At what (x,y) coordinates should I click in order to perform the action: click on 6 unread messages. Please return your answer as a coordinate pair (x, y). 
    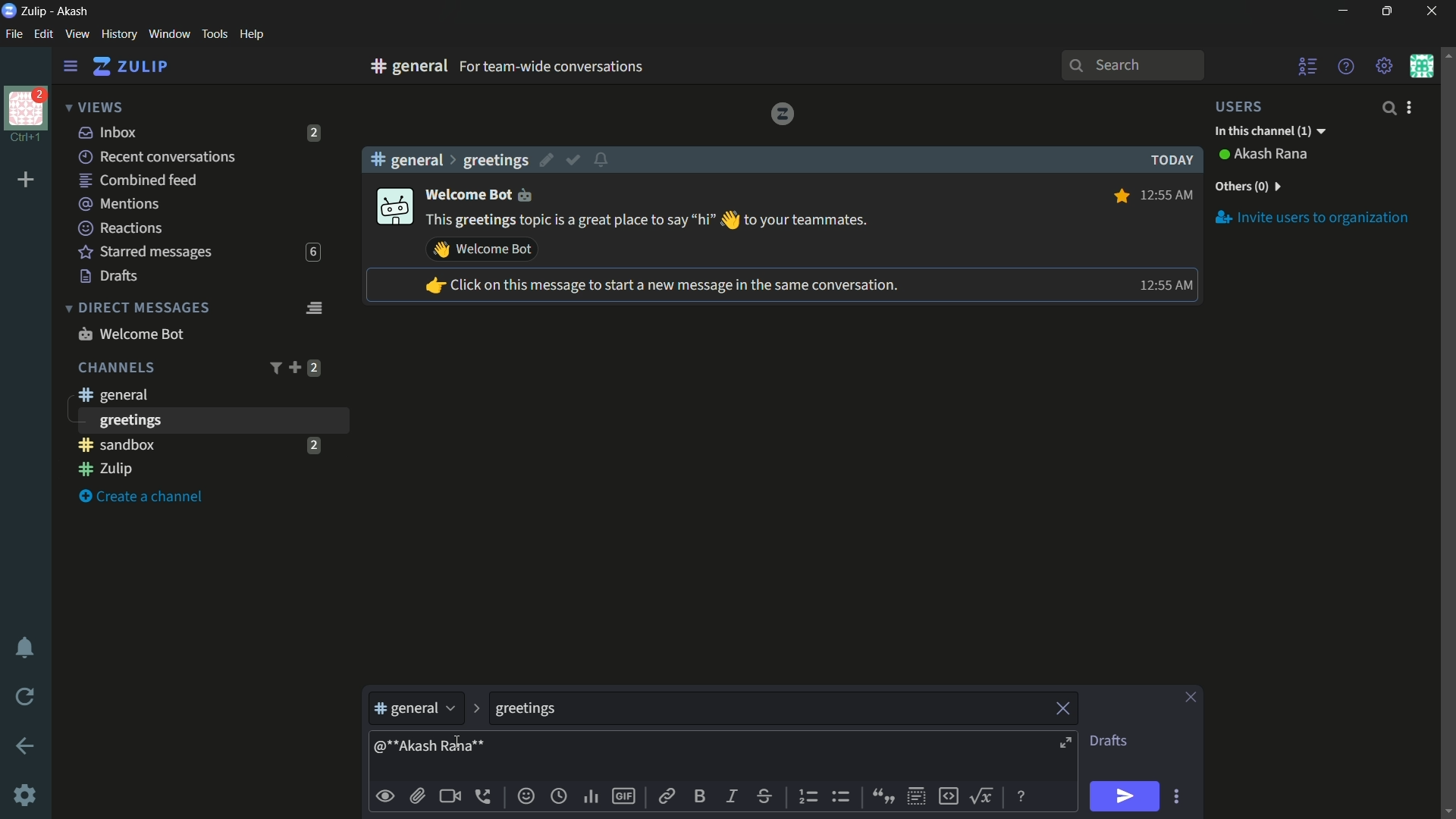
    Looking at the image, I should click on (312, 253).